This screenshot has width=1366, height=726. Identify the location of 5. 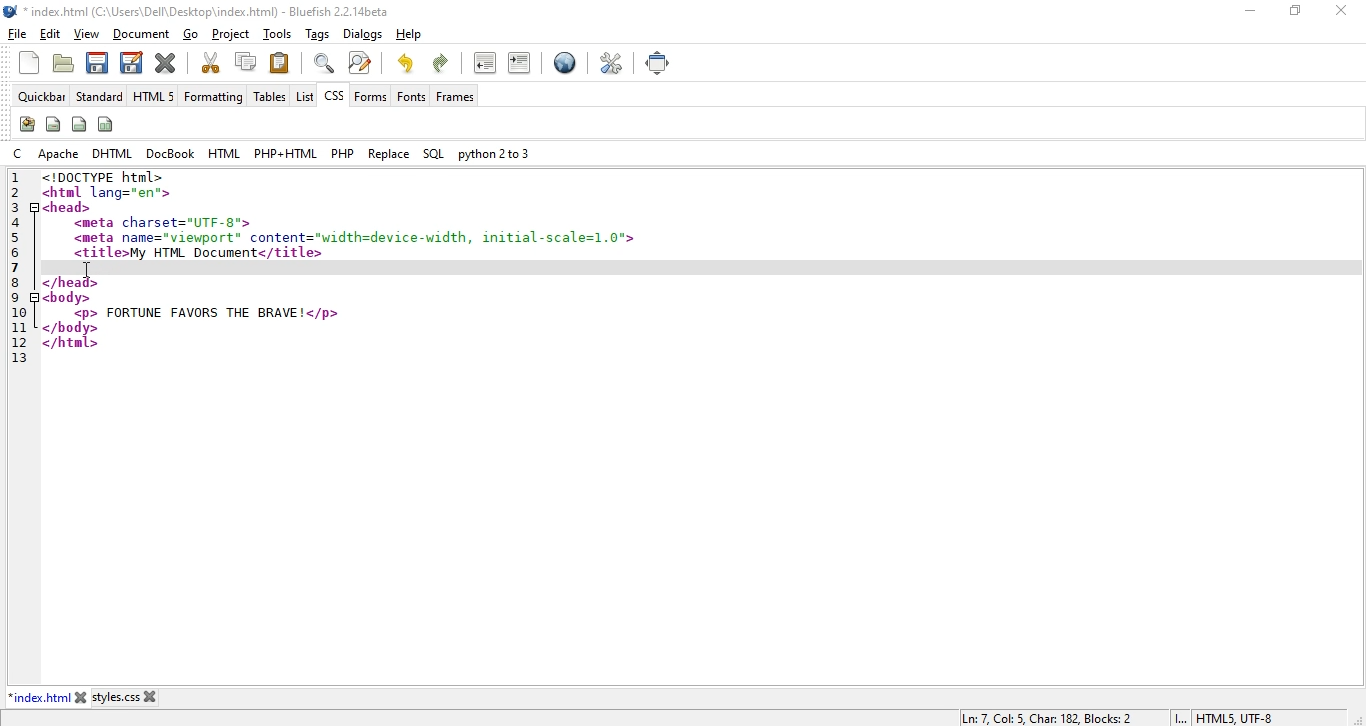
(21, 239).